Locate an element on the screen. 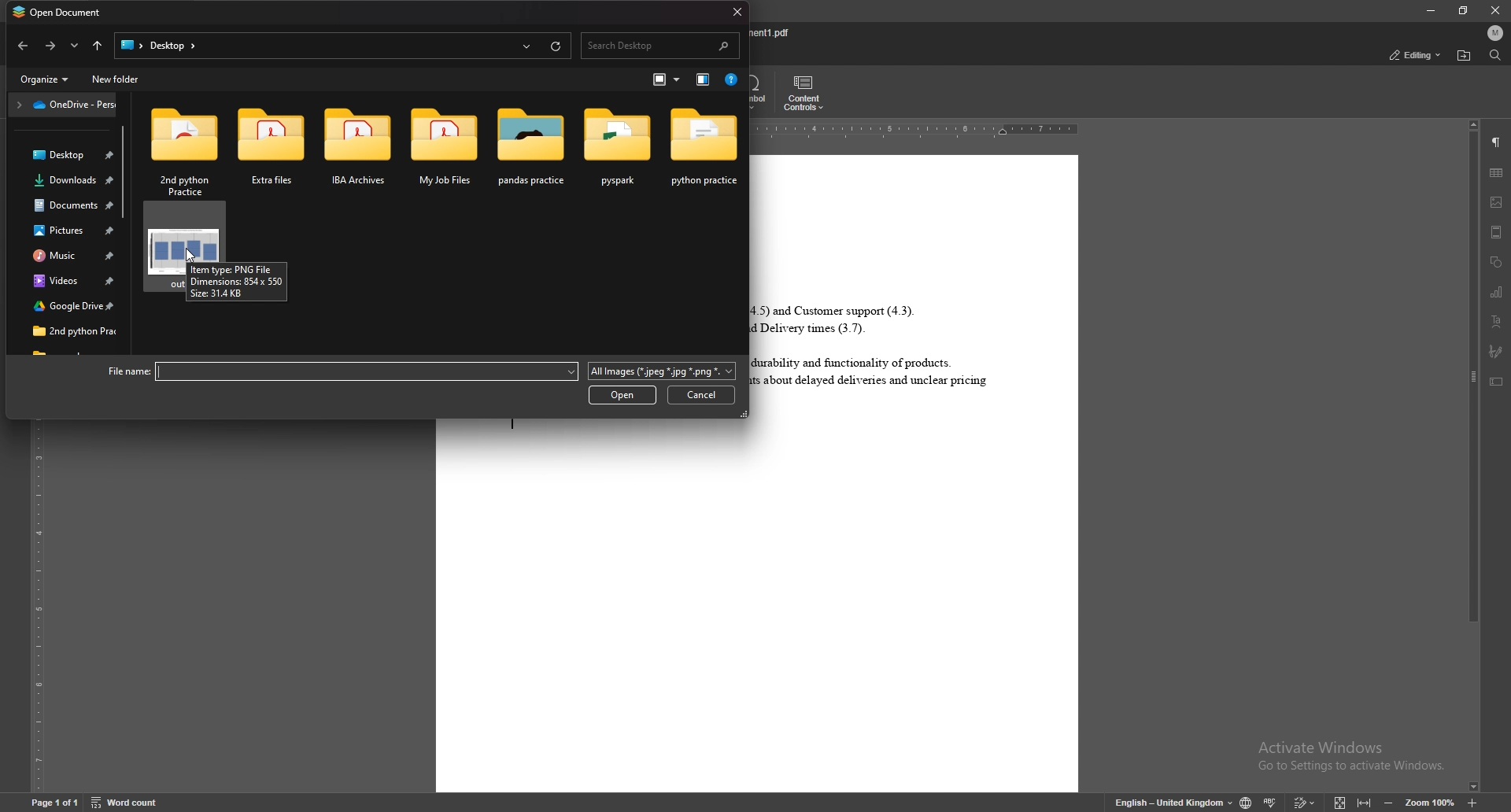  file name is located at coordinates (772, 32).